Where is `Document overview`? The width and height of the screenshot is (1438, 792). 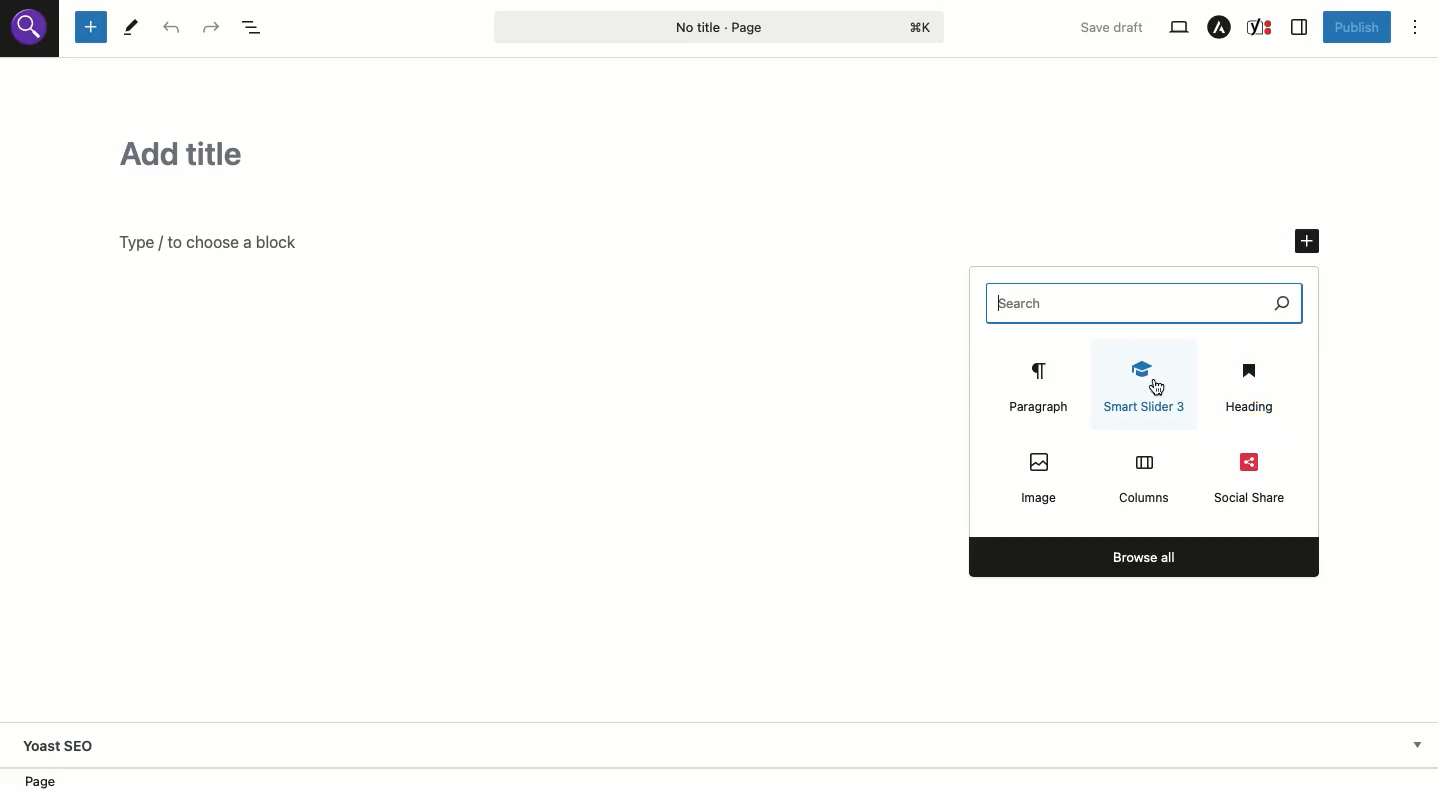
Document overview is located at coordinates (252, 28).